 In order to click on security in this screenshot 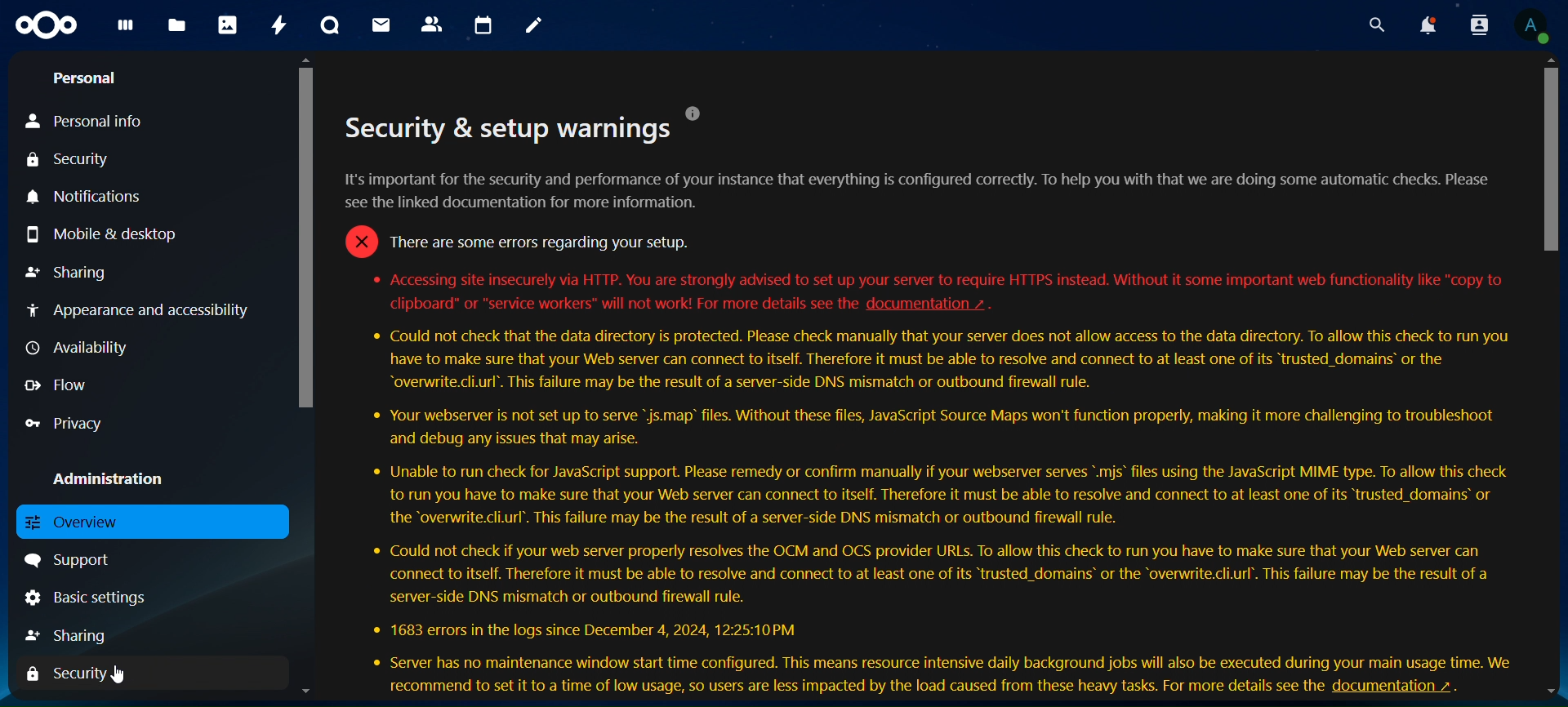, I will do `click(62, 674)`.